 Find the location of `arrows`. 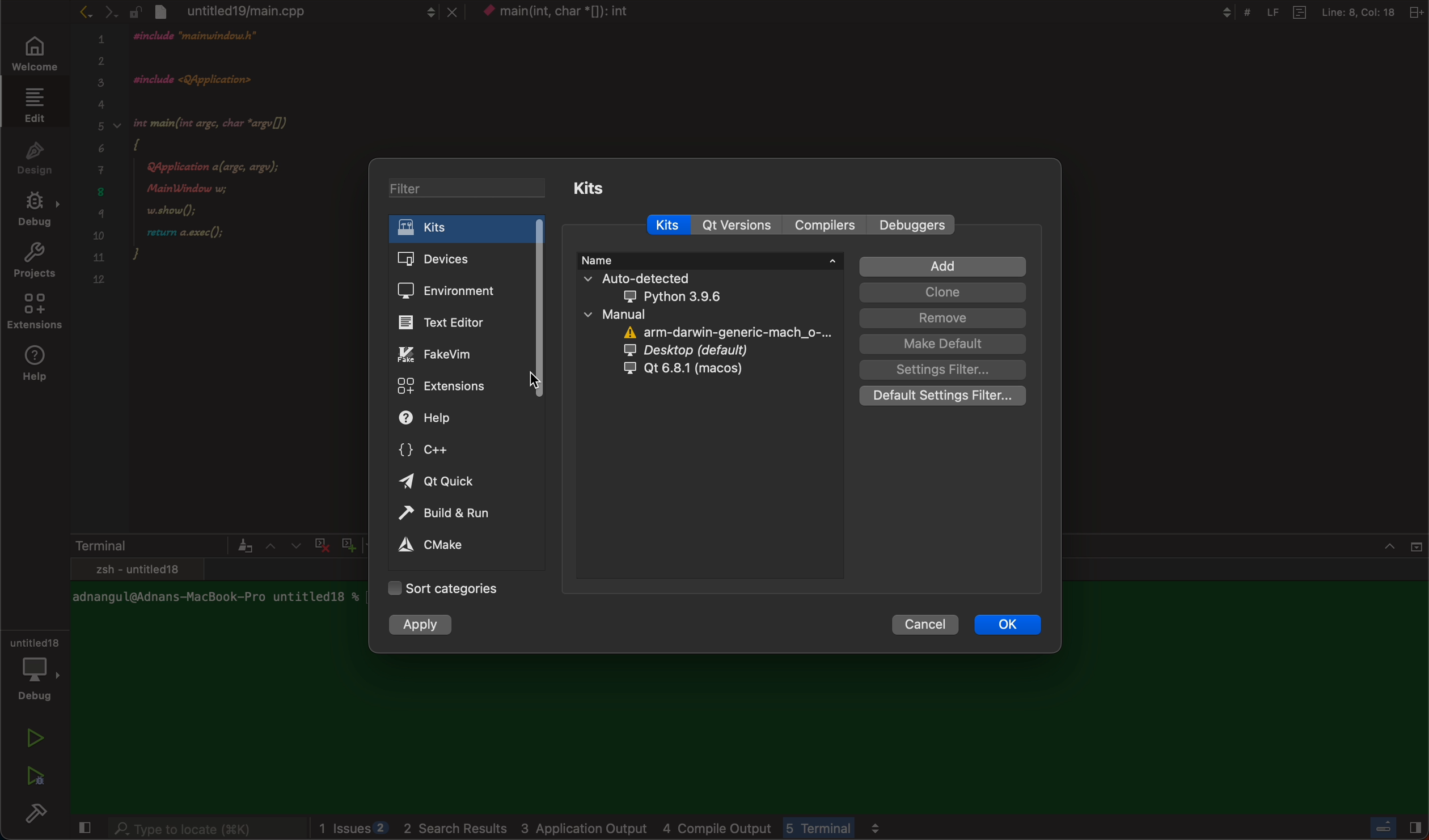

arrows is located at coordinates (97, 11).